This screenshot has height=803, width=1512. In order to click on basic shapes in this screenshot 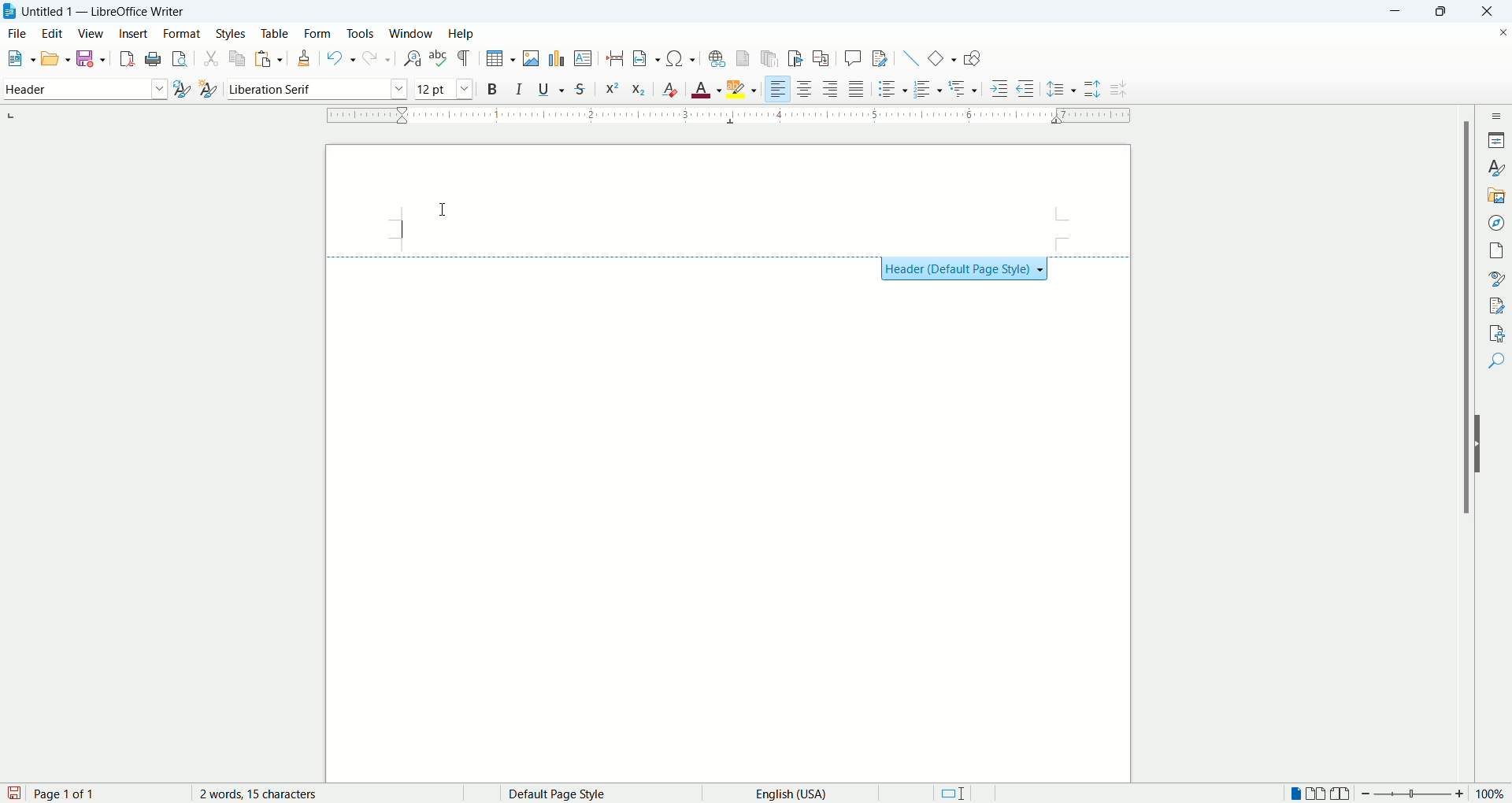, I will do `click(943, 58)`.